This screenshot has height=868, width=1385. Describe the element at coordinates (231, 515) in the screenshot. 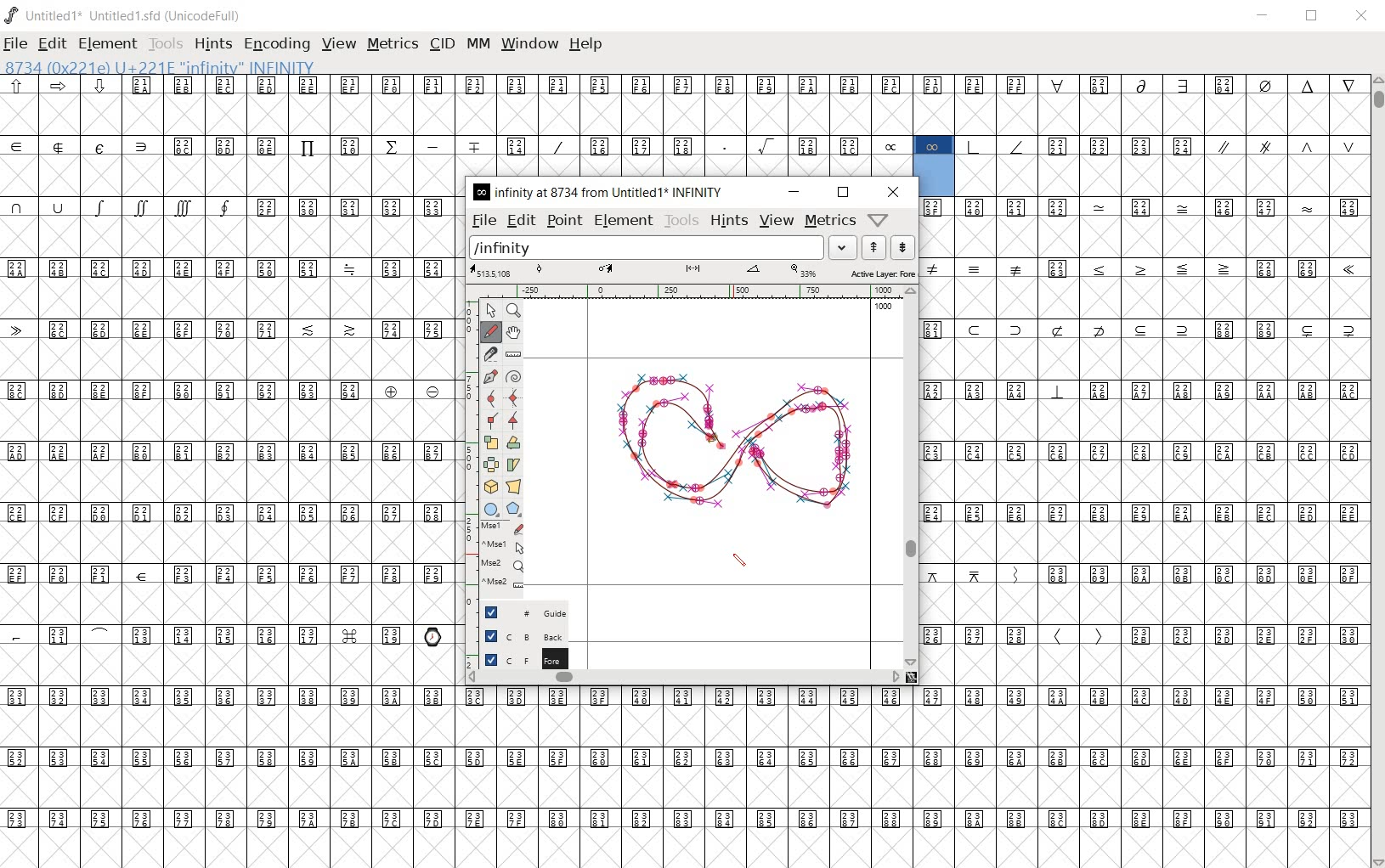

I see `Unicode code points` at that location.